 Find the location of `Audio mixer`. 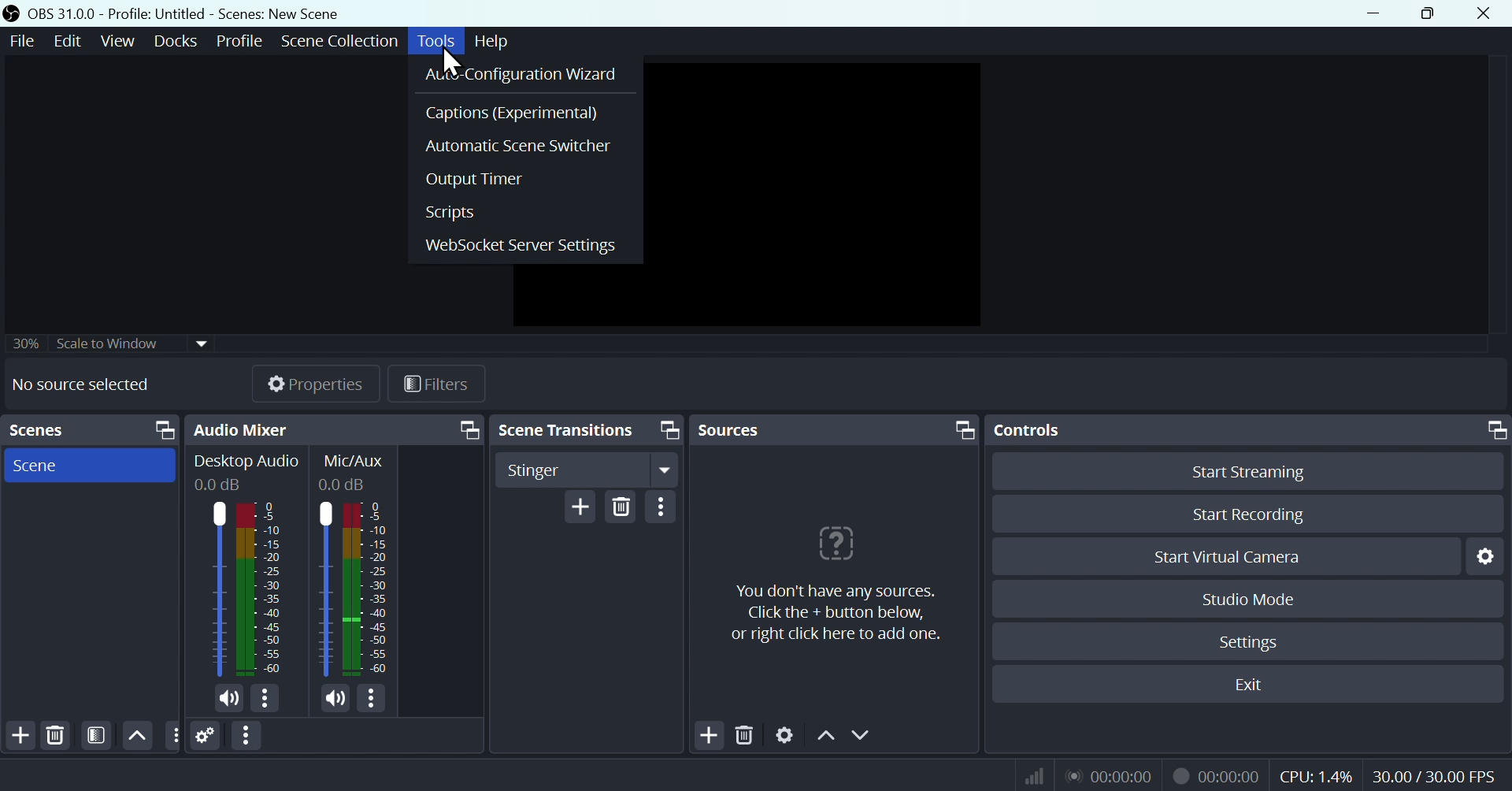

Audio mixer is located at coordinates (241, 429).